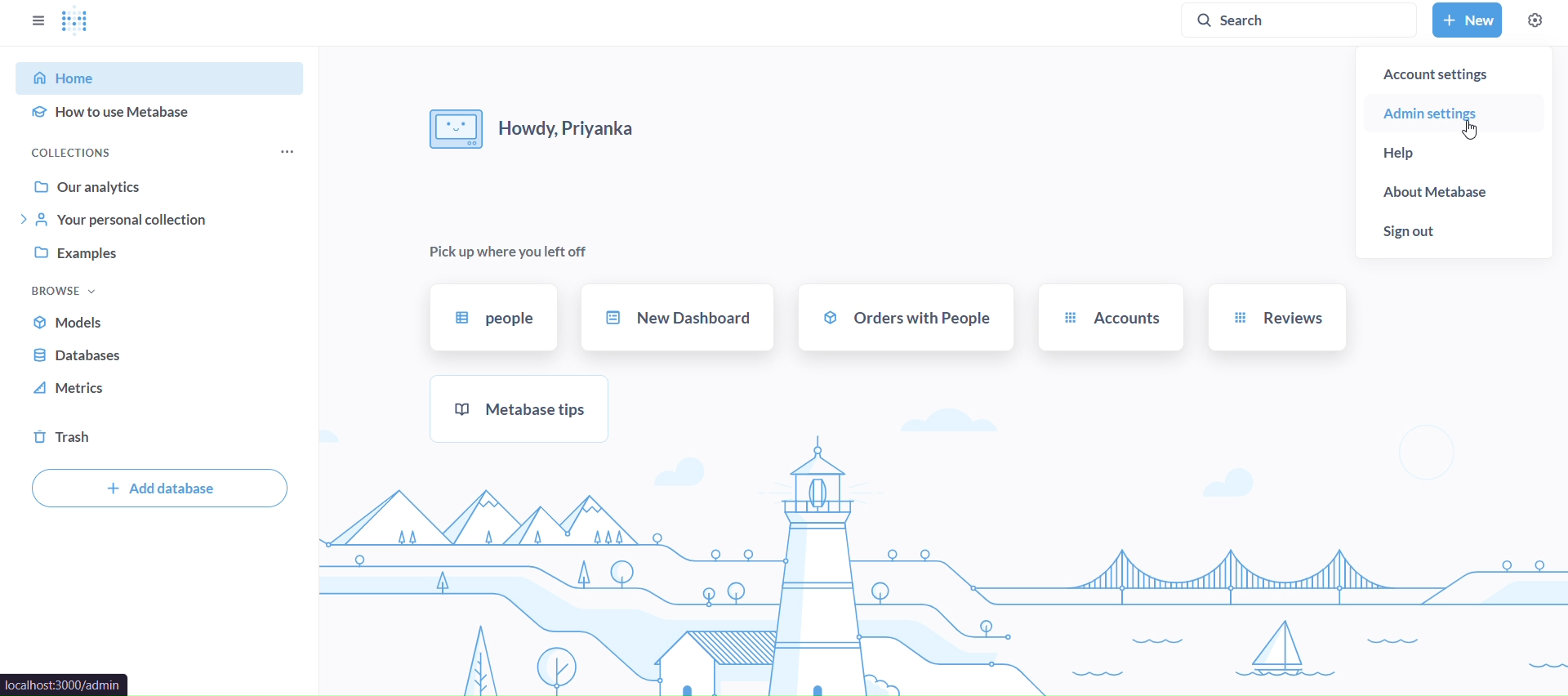 The height and width of the screenshot is (696, 1568). Describe the element at coordinates (678, 315) in the screenshot. I see `new dashboard` at that location.